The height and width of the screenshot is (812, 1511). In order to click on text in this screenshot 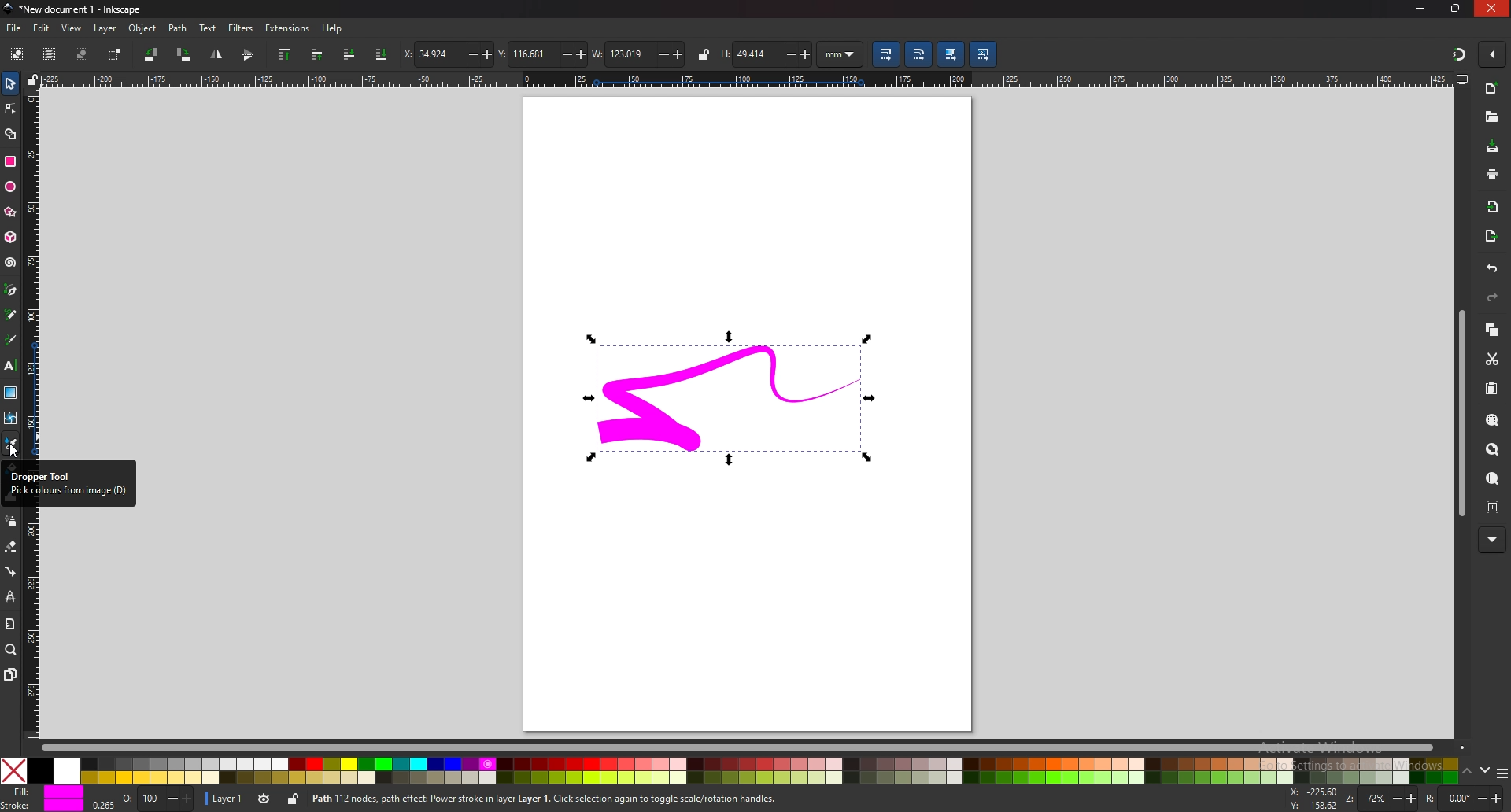, I will do `click(209, 28)`.